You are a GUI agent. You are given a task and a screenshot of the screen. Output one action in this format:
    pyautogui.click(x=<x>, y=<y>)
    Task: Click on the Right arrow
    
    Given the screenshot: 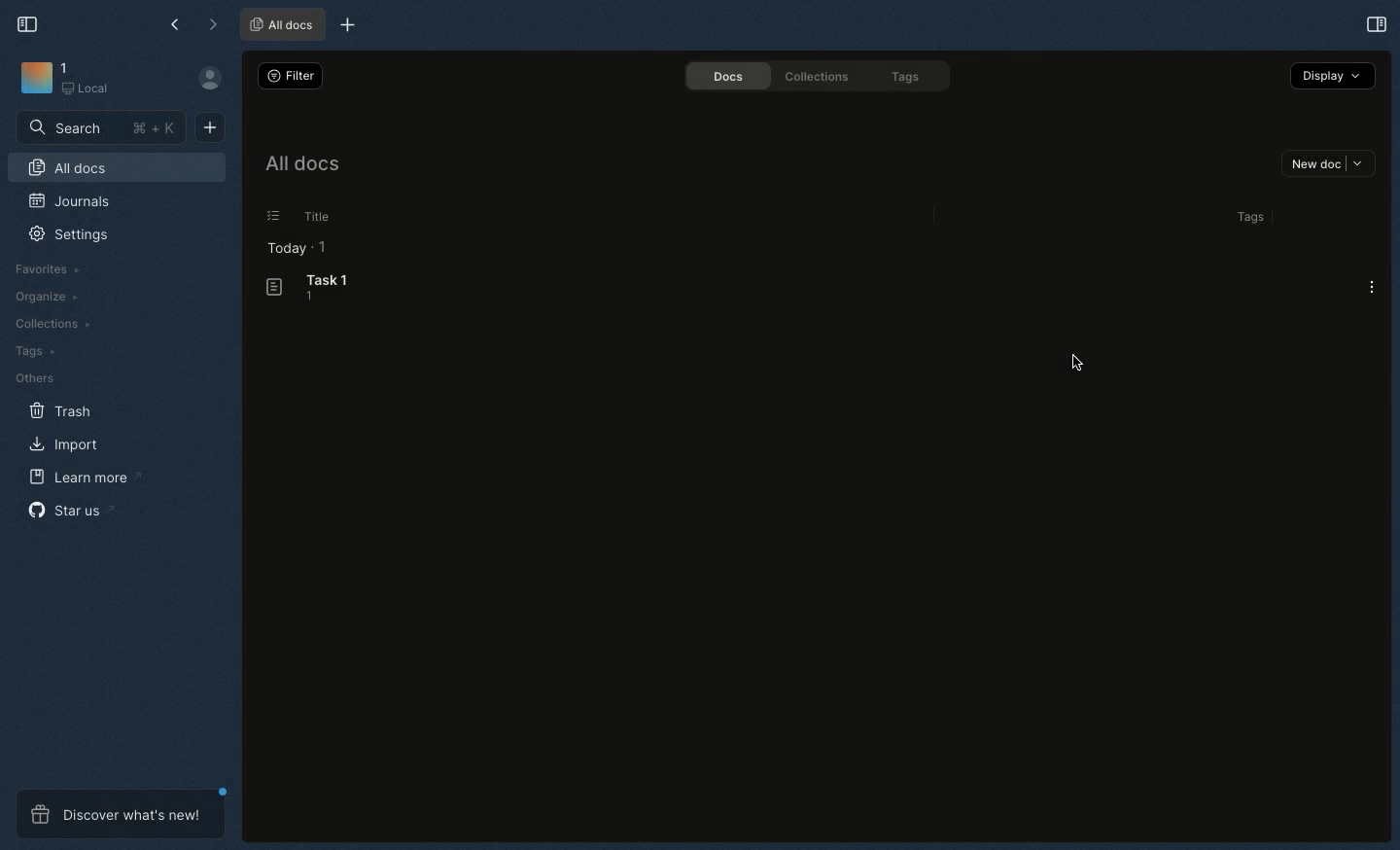 What is the action you would take?
    pyautogui.click(x=212, y=24)
    